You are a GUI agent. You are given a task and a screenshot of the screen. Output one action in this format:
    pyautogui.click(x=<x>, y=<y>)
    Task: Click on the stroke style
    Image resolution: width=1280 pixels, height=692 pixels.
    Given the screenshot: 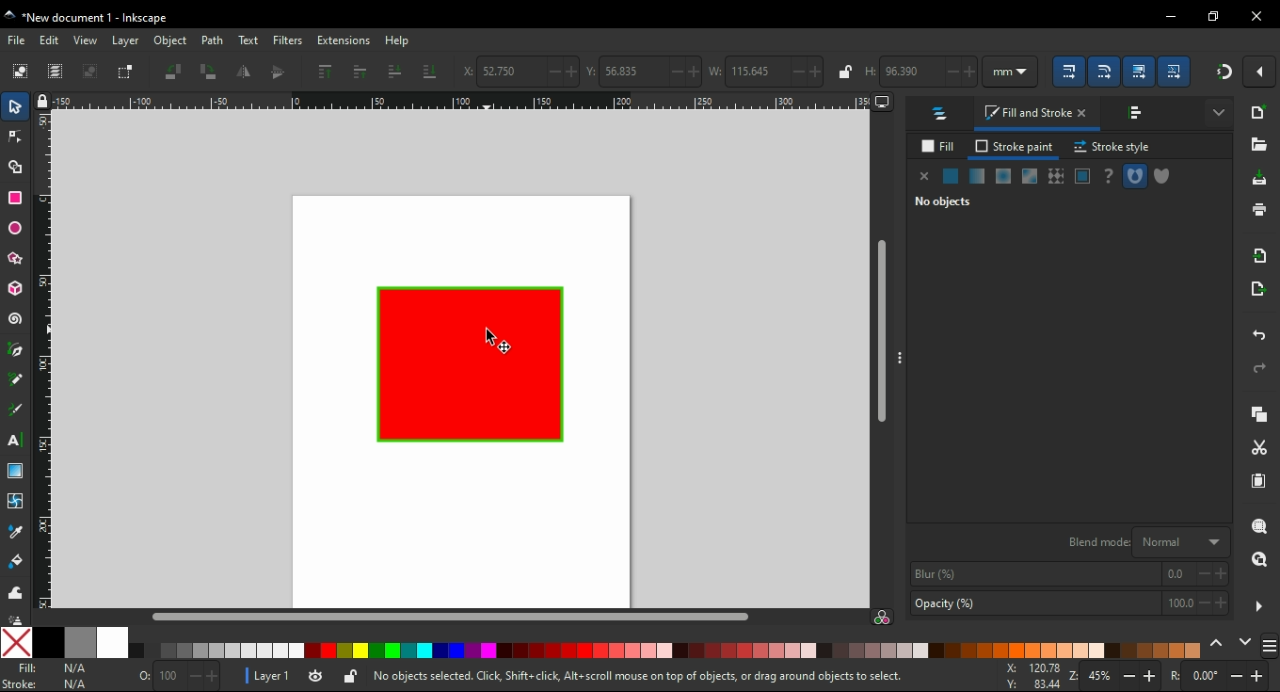 What is the action you would take?
    pyautogui.click(x=1111, y=147)
    